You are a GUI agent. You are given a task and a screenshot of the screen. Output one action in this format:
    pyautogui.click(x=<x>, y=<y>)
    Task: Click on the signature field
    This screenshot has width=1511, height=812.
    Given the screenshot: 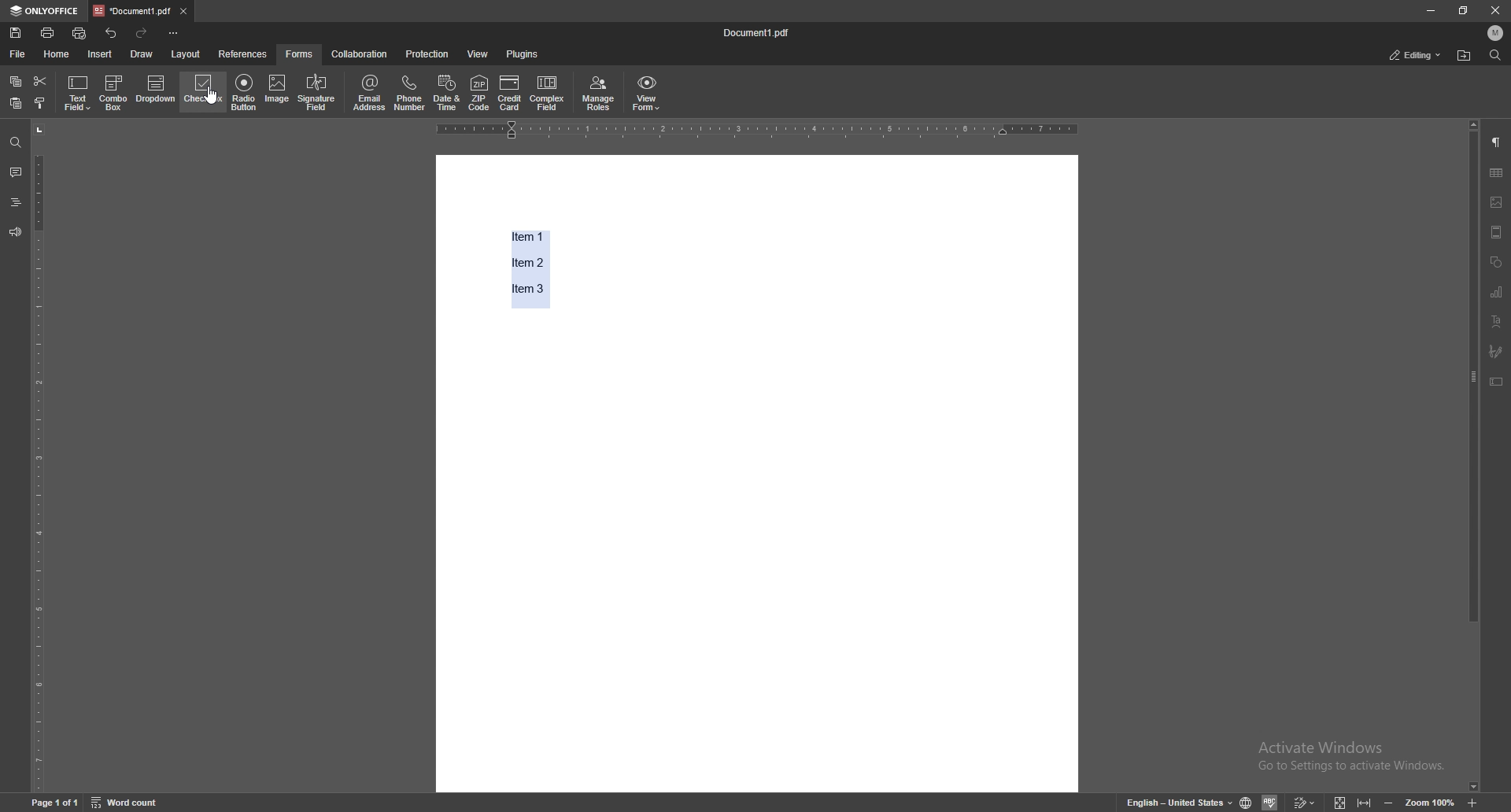 What is the action you would take?
    pyautogui.click(x=317, y=93)
    